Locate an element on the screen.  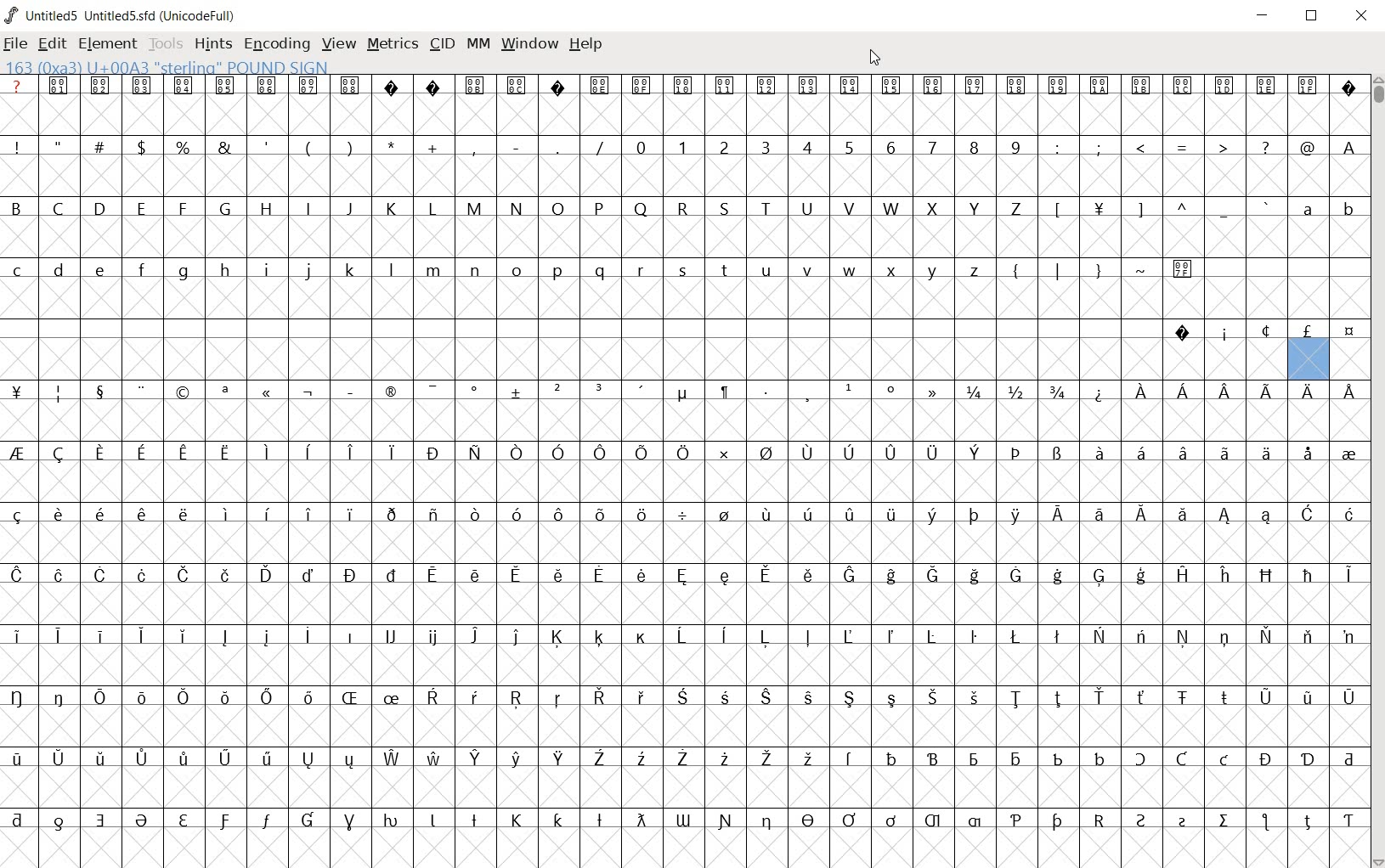
Symbol is located at coordinates (59, 757).